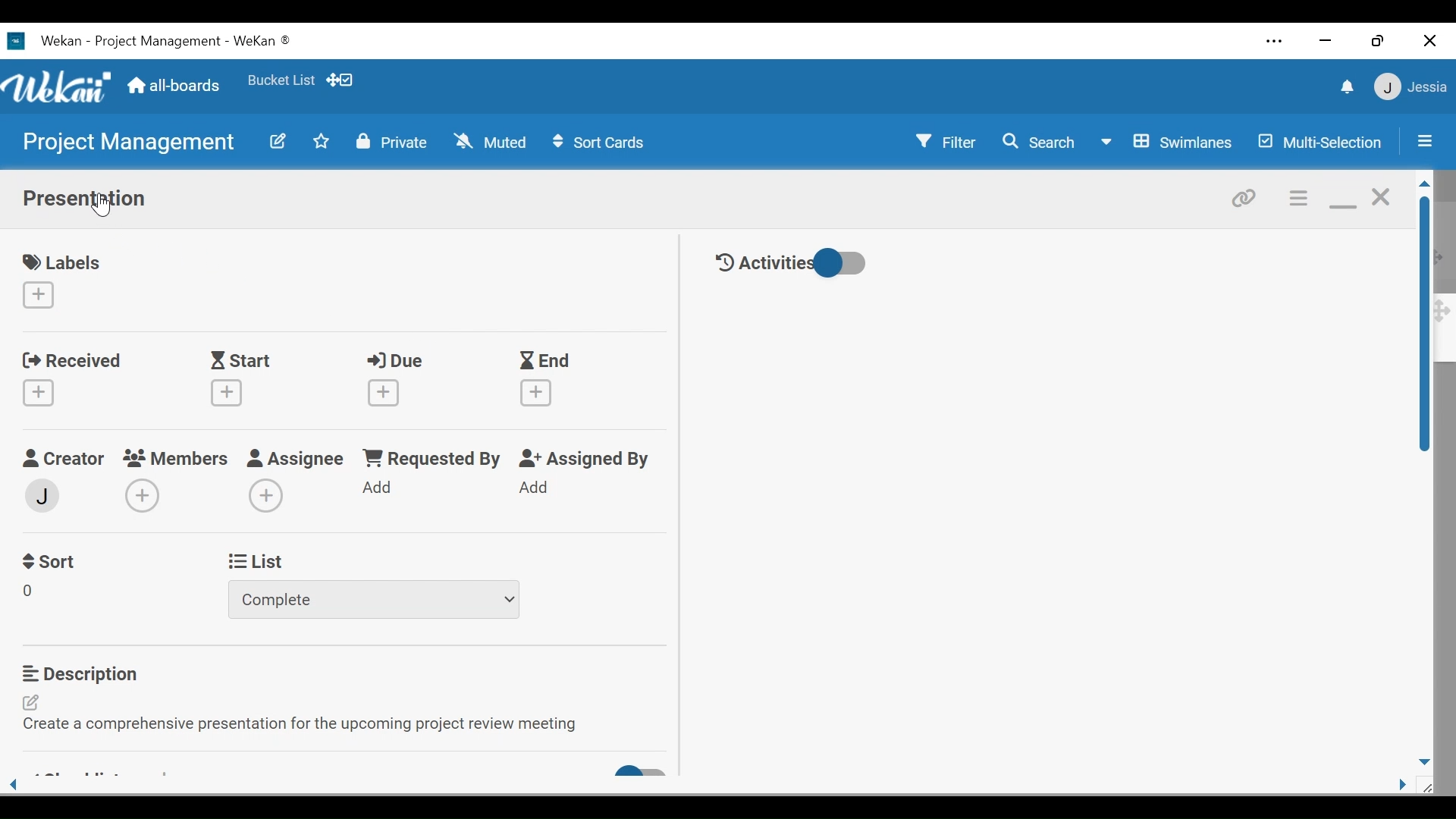 Image resolution: width=1456 pixels, height=819 pixels. Describe the element at coordinates (44, 40) in the screenshot. I see `Wekan Desktop icon` at that location.